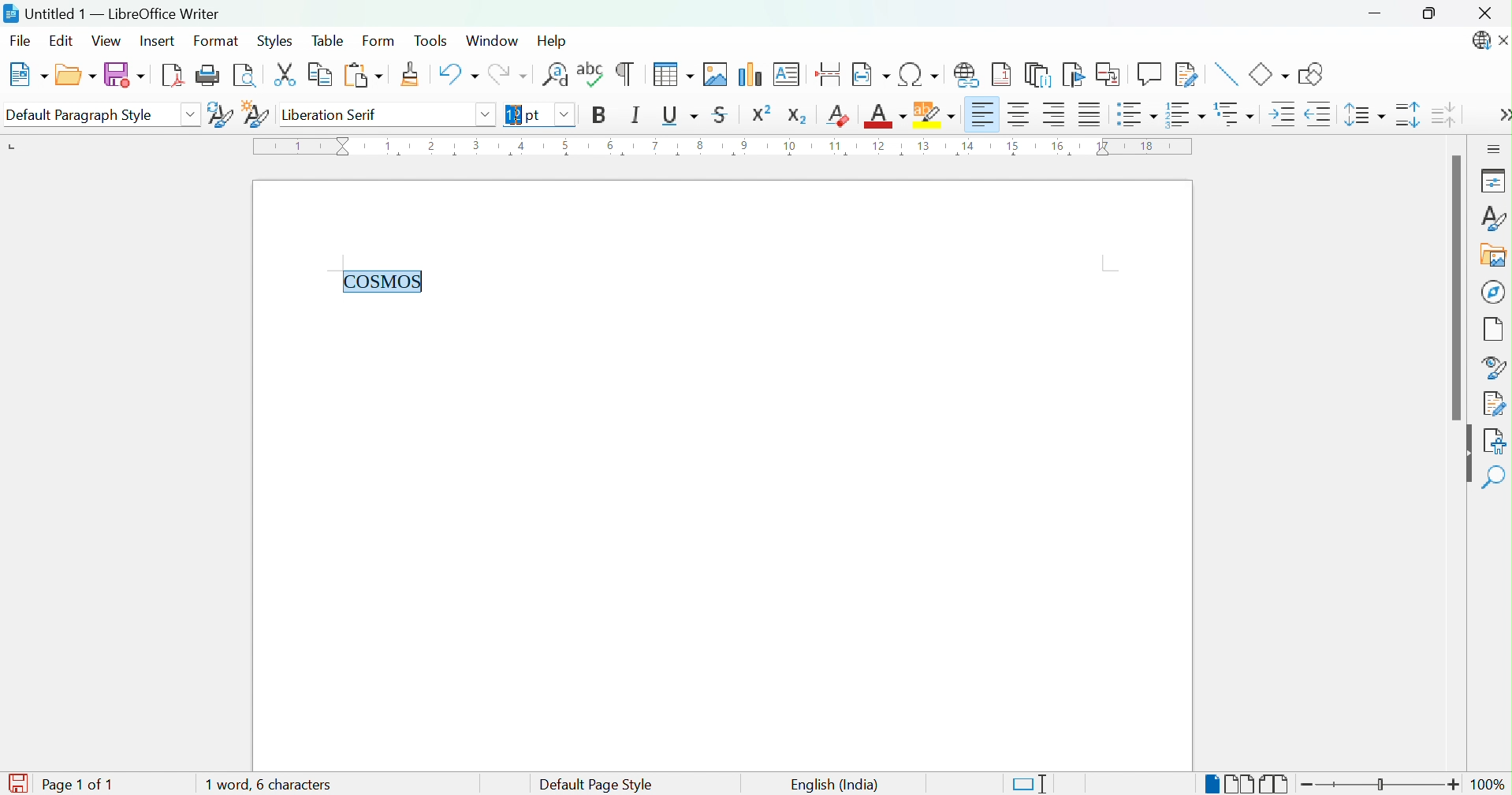 This screenshot has height=795, width=1512. I want to click on Table, so click(328, 40).